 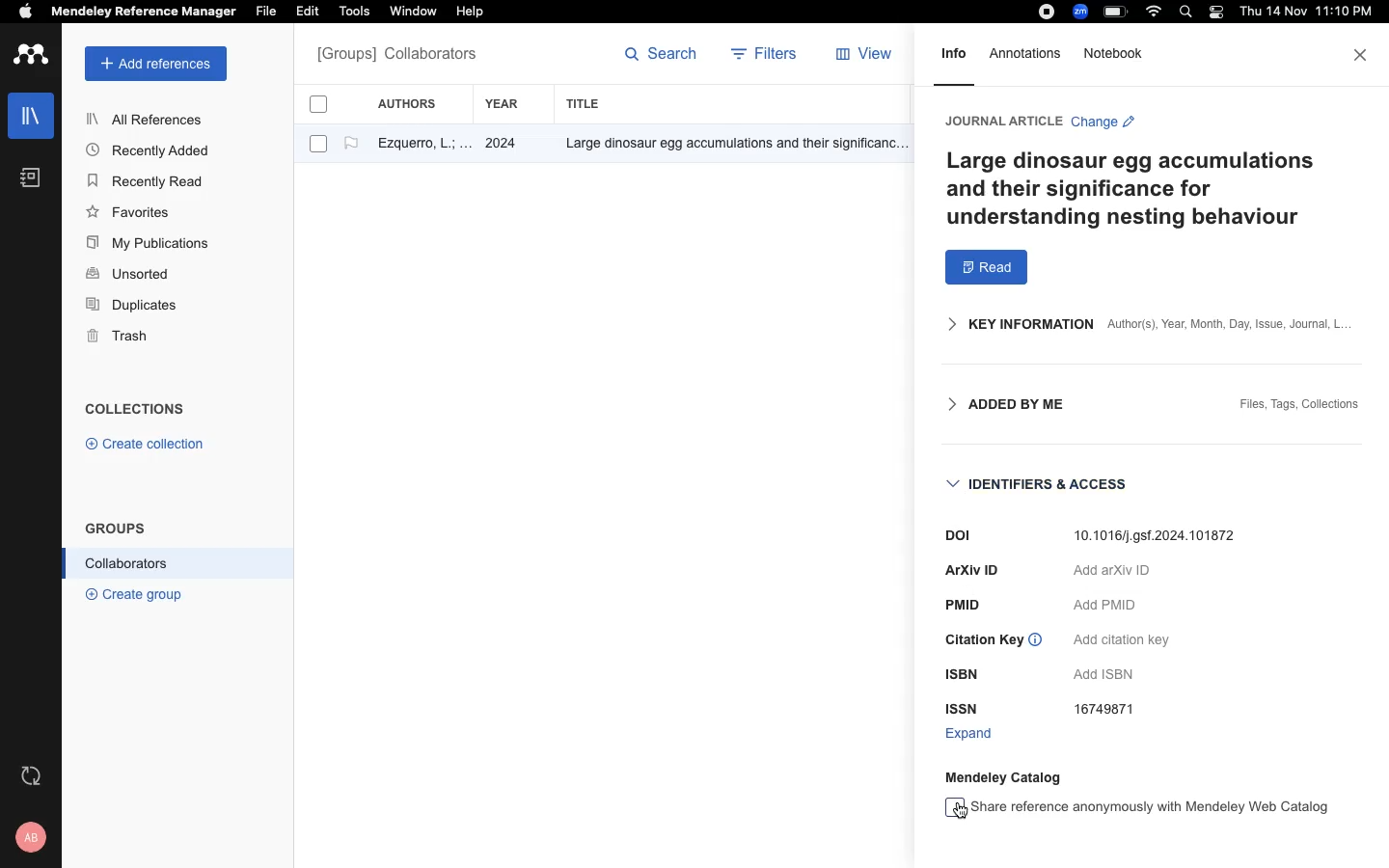 What do you see at coordinates (586, 103) in the screenshot?
I see `title` at bounding box center [586, 103].